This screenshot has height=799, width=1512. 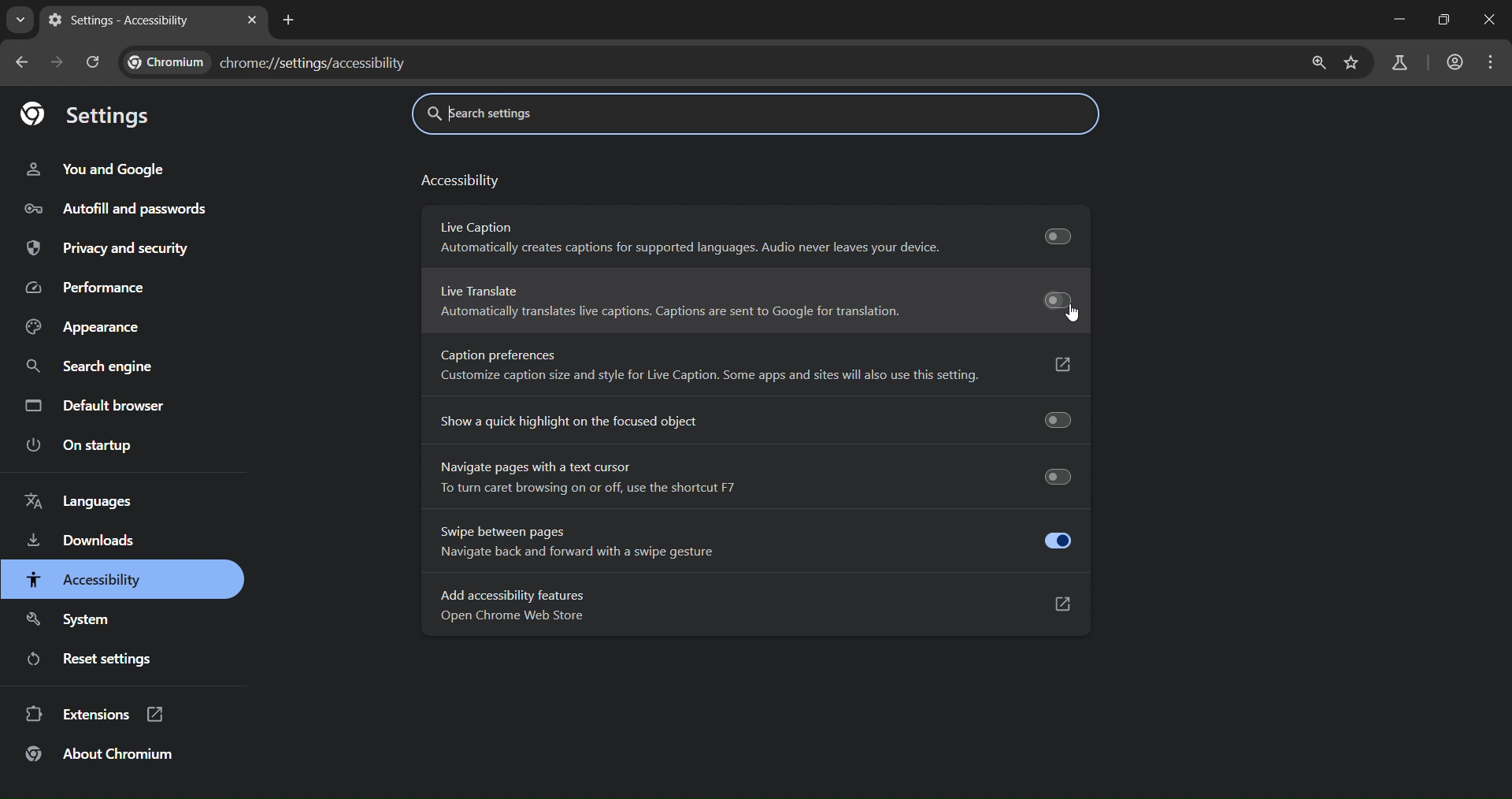 What do you see at coordinates (683, 238) in the screenshot?
I see `Live Caption
Automatically creates captions for supported languages. Audio never leaves your device.` at bounding box center [683, 238].